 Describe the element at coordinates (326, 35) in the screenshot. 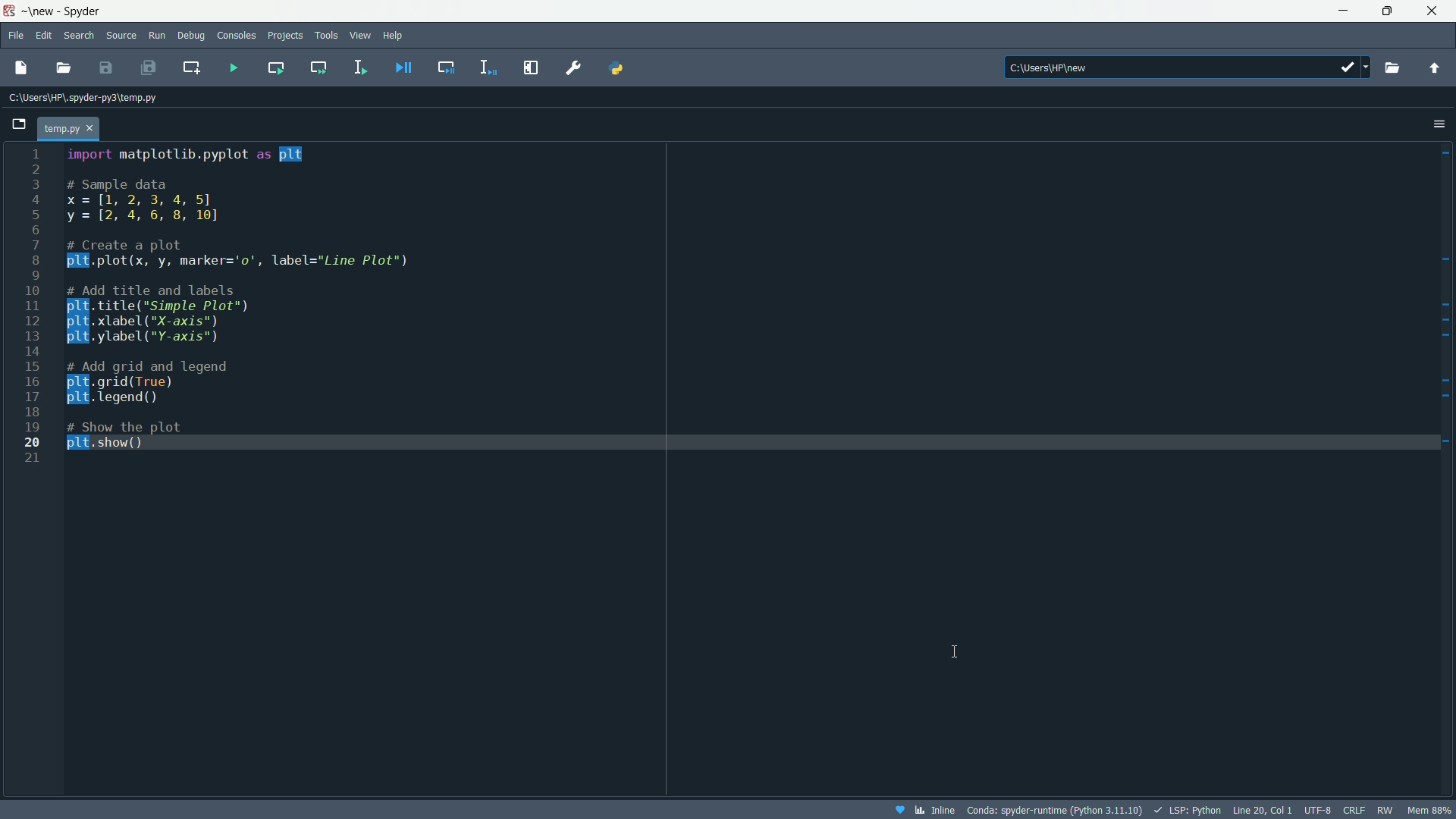

I see `tools` at that location.